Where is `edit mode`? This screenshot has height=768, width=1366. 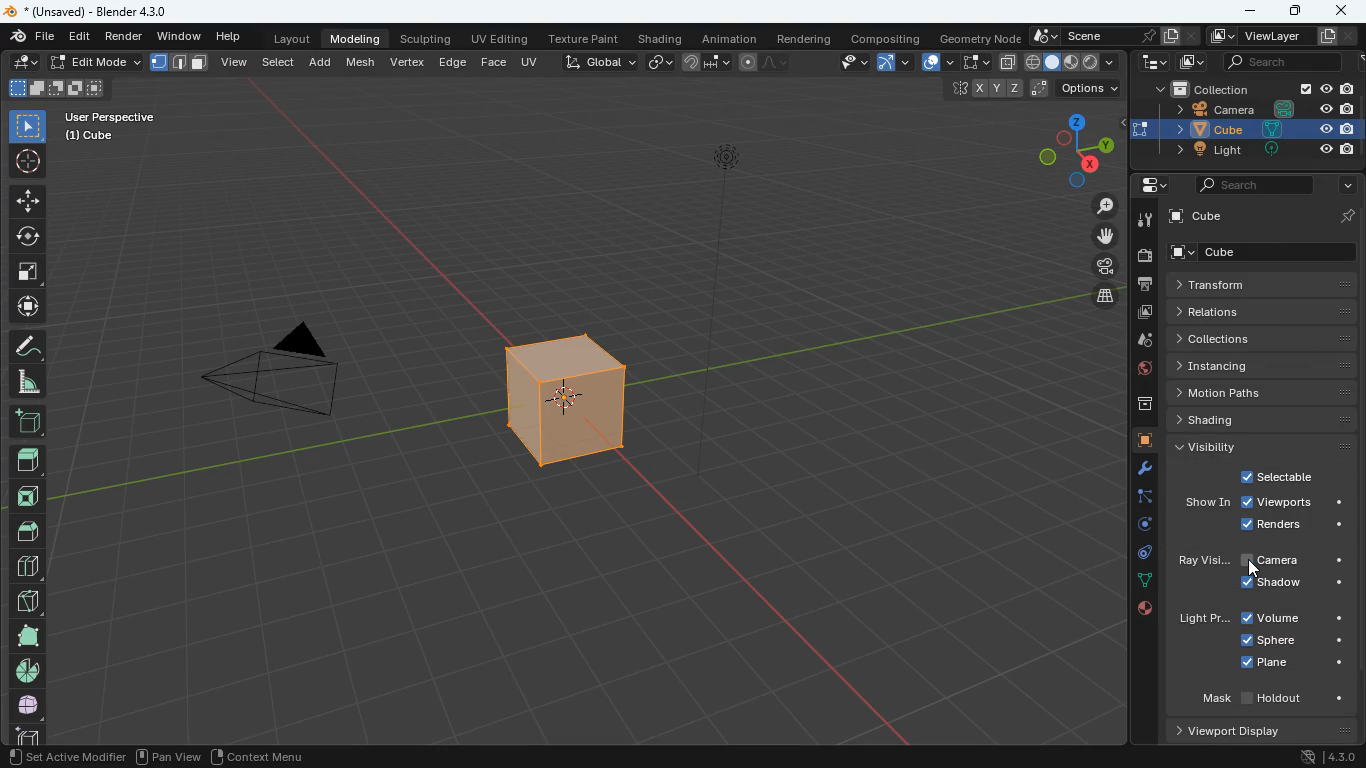
edit mode is located at coordinates (97, 62).